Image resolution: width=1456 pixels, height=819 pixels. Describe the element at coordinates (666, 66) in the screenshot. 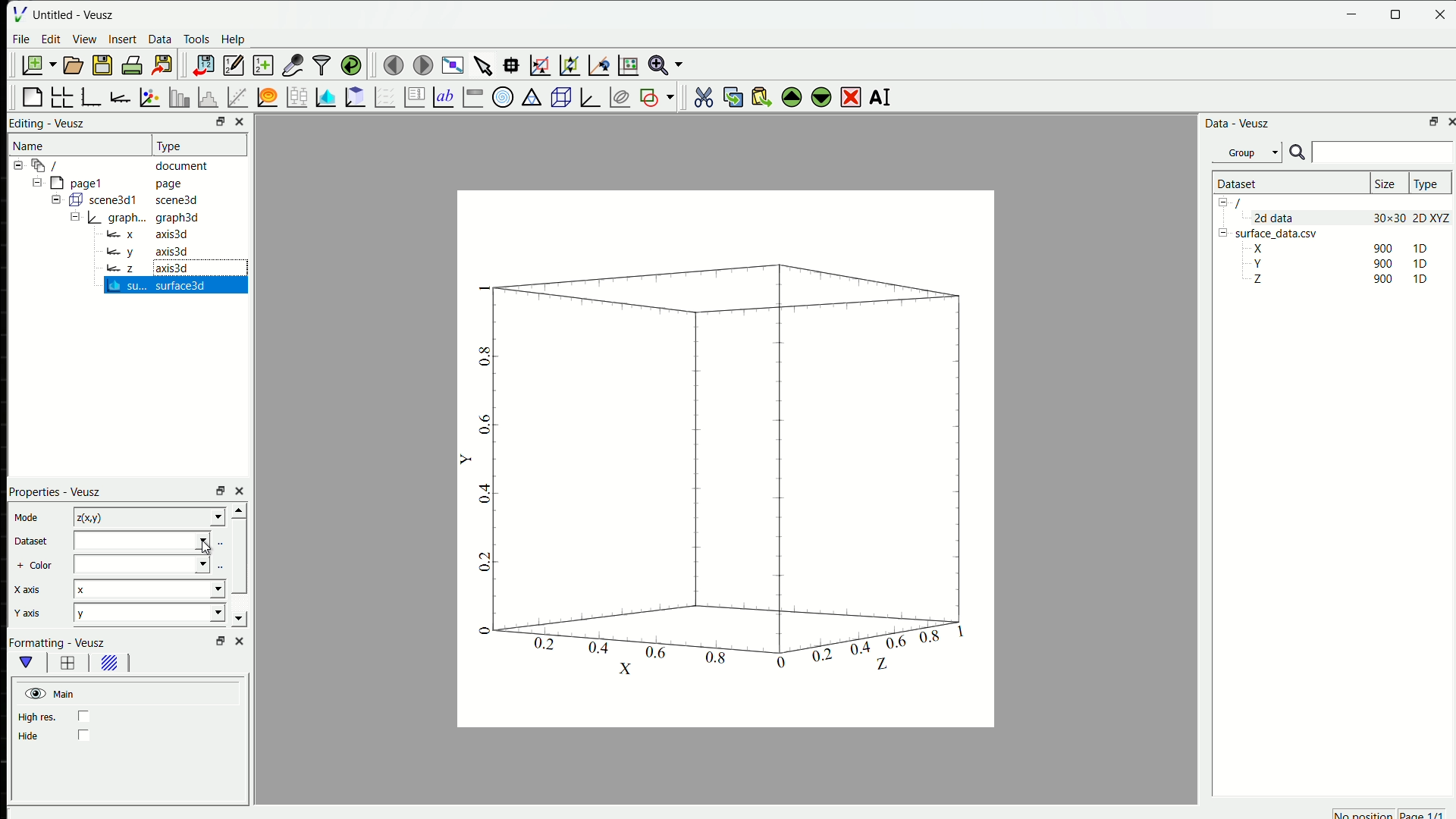

I see `zoom functions menu` at that location.